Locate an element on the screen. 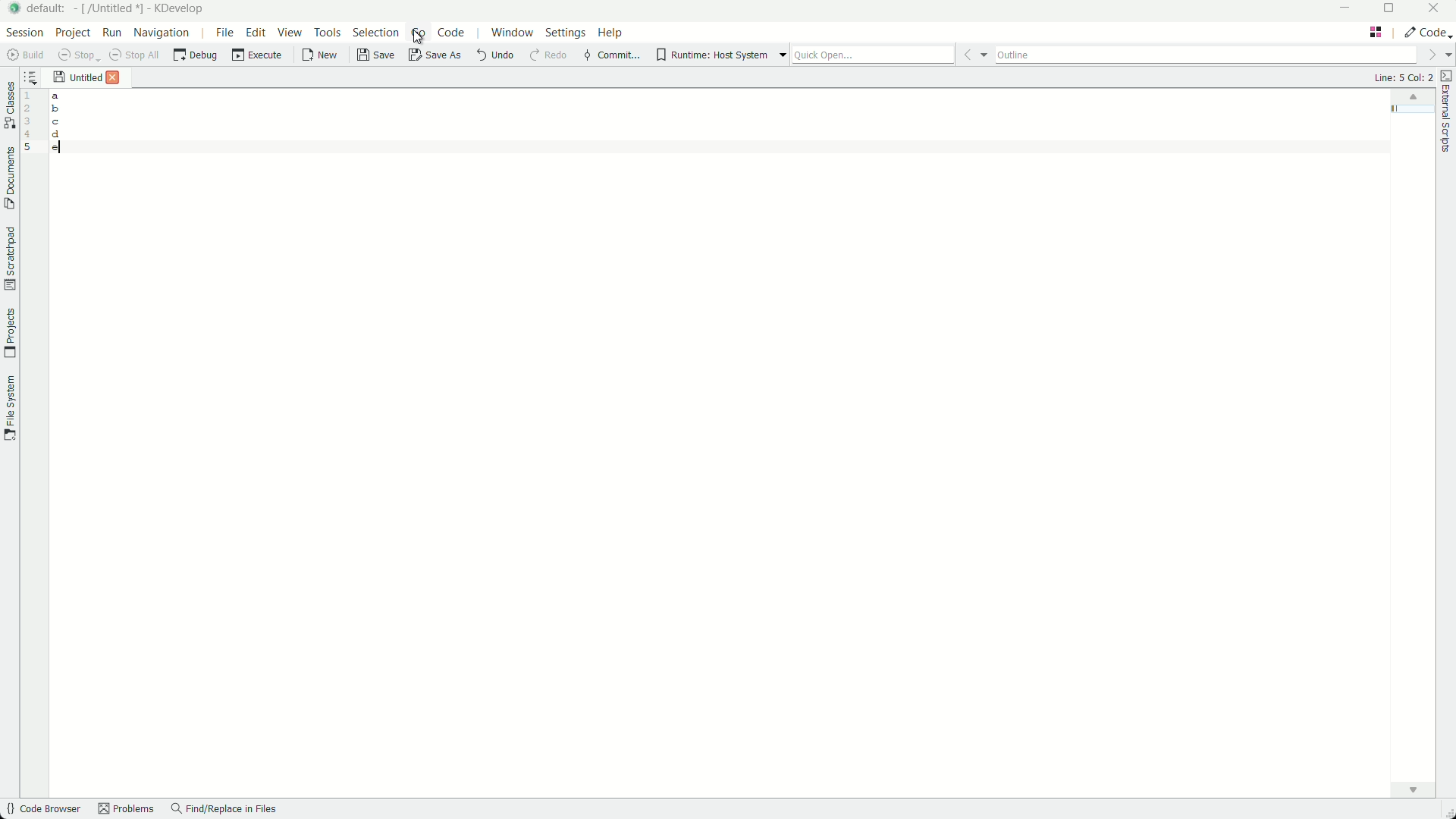  selection is located at coordinates (375, 35).